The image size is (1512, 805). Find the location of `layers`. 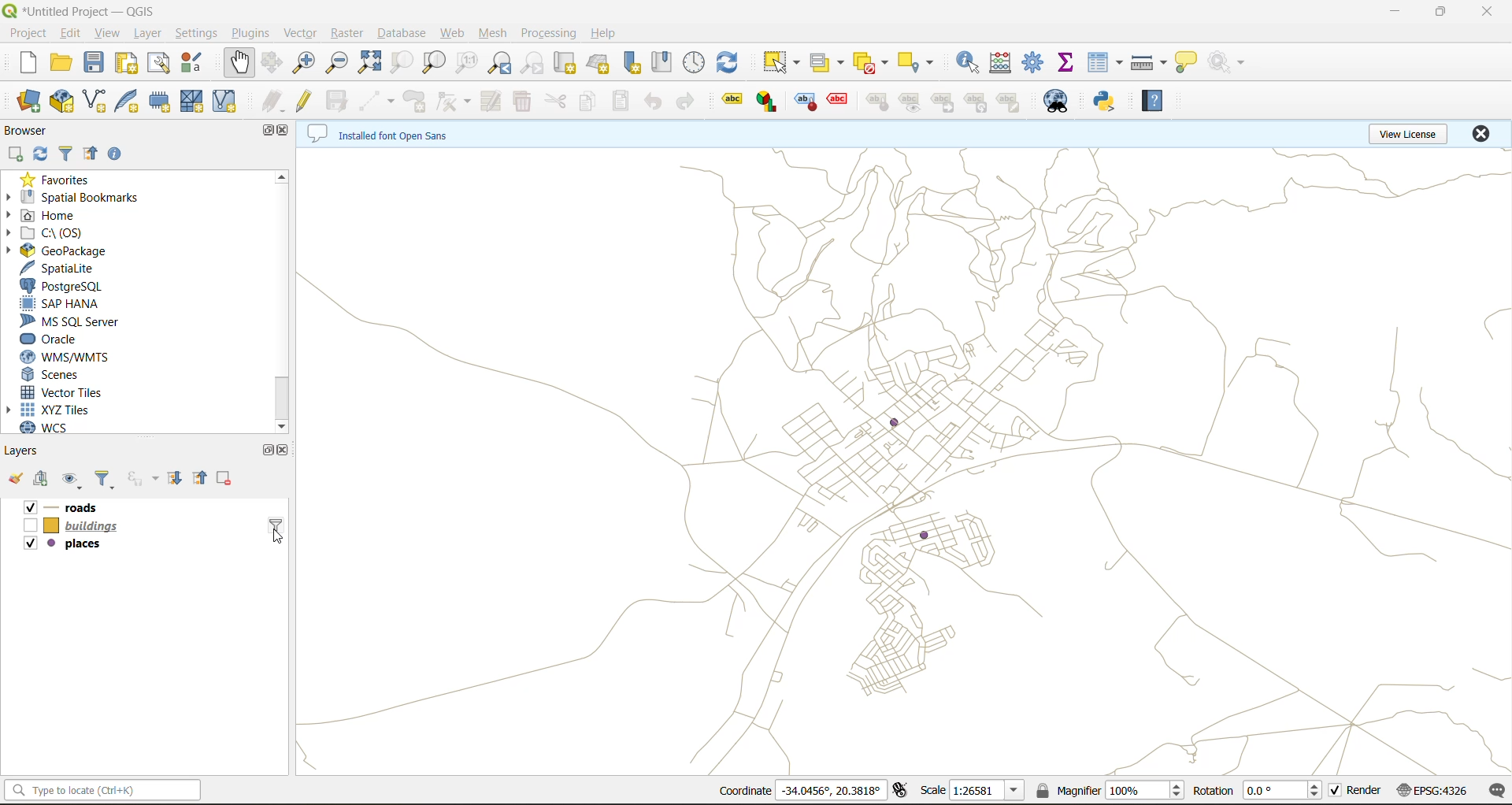

layers is located at coordinates (30, 450).